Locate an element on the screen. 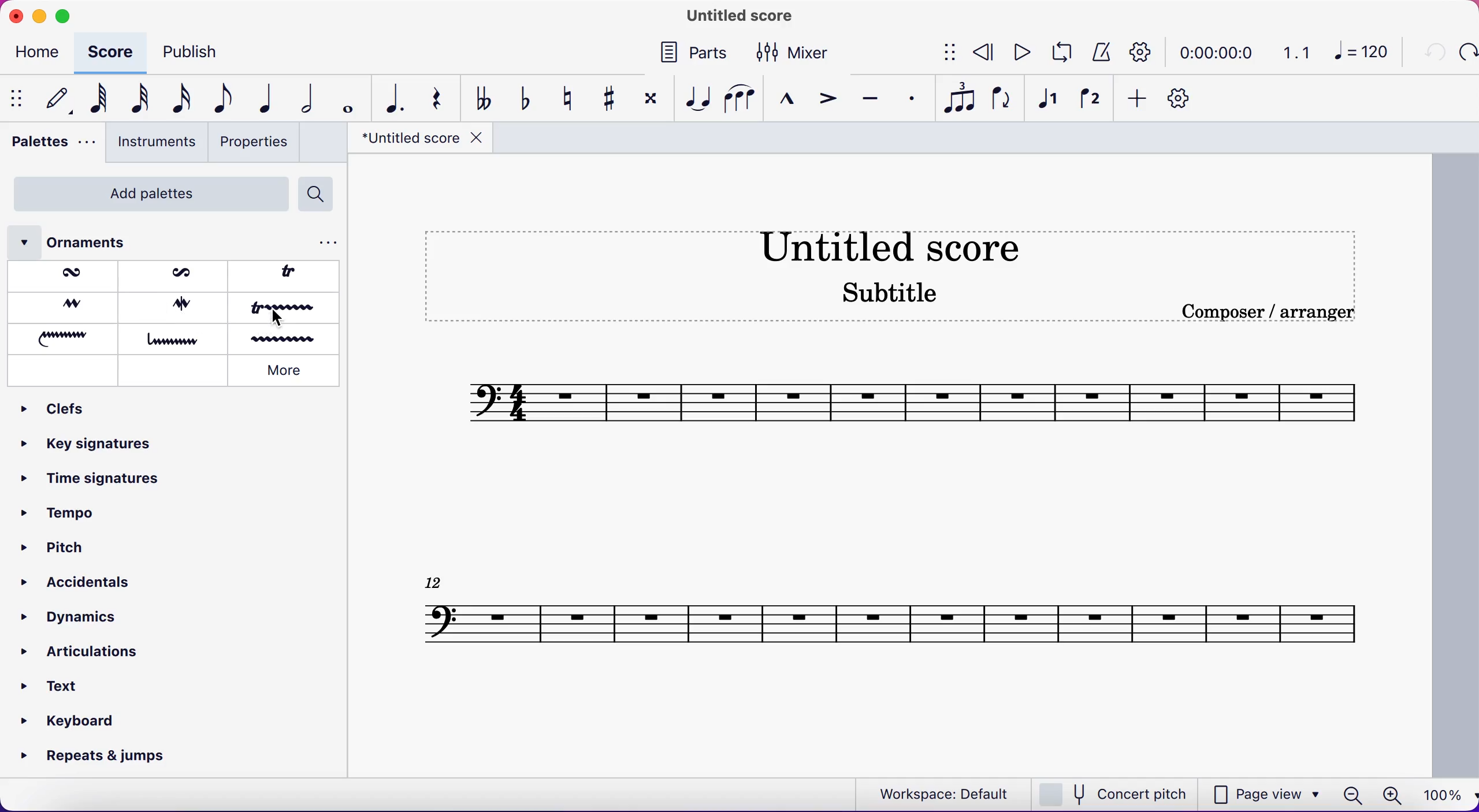 This screenshot has width=1479, height=812. workspace: default is located at coordinates (939, 793).